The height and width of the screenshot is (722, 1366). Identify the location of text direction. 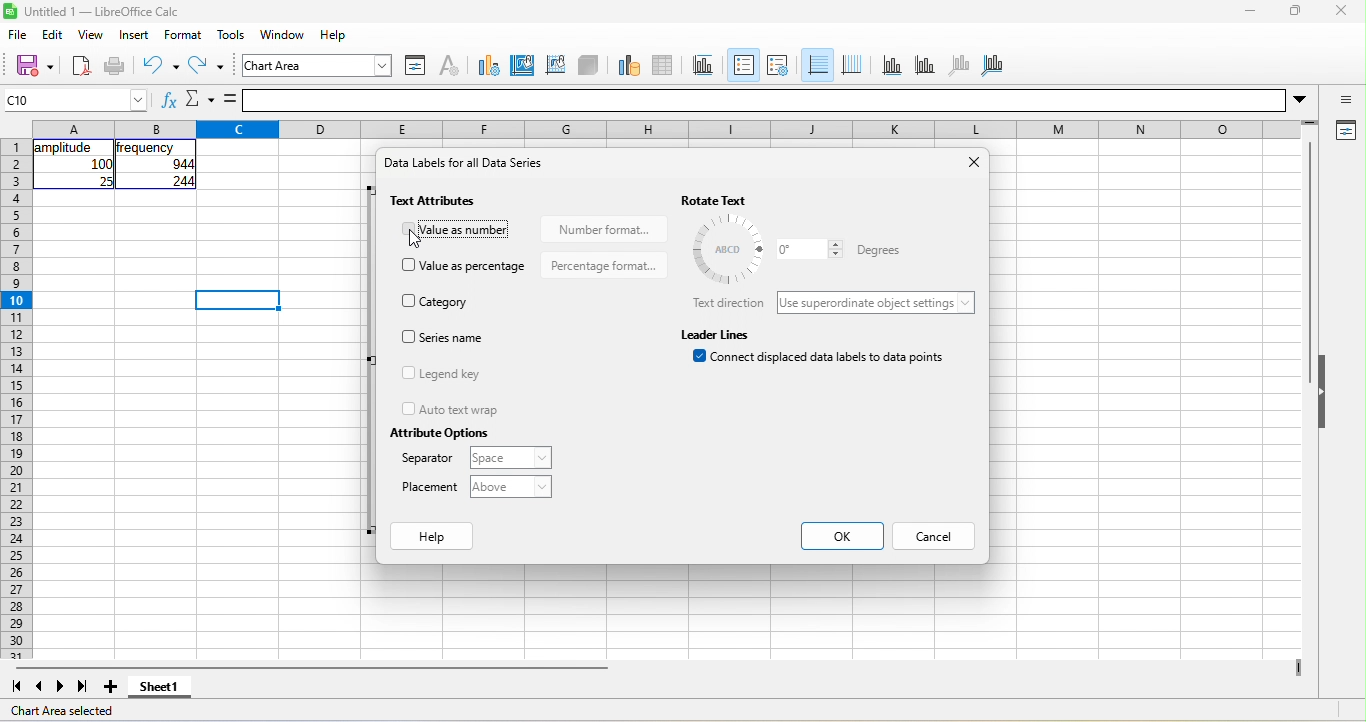
(727, 304).